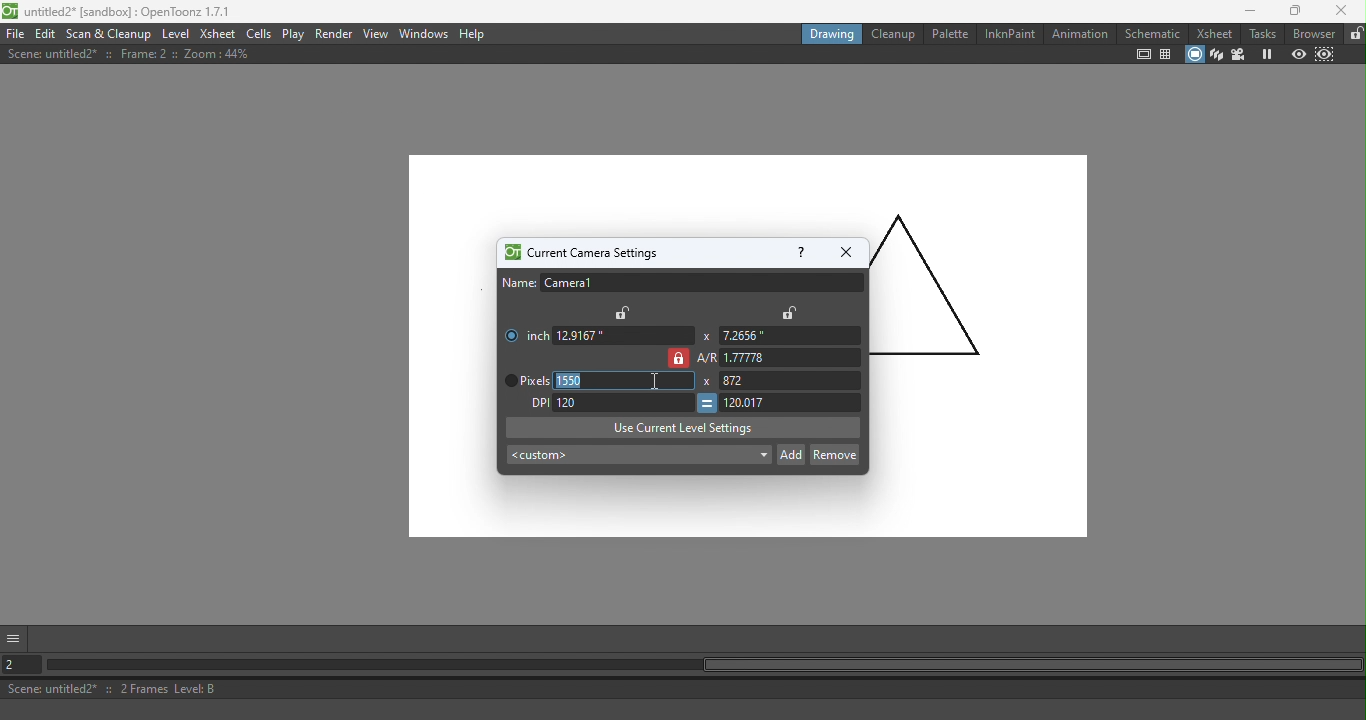 This screenshot has width=1366, height=720. I want to click on Cleanup, so click(891, 33).